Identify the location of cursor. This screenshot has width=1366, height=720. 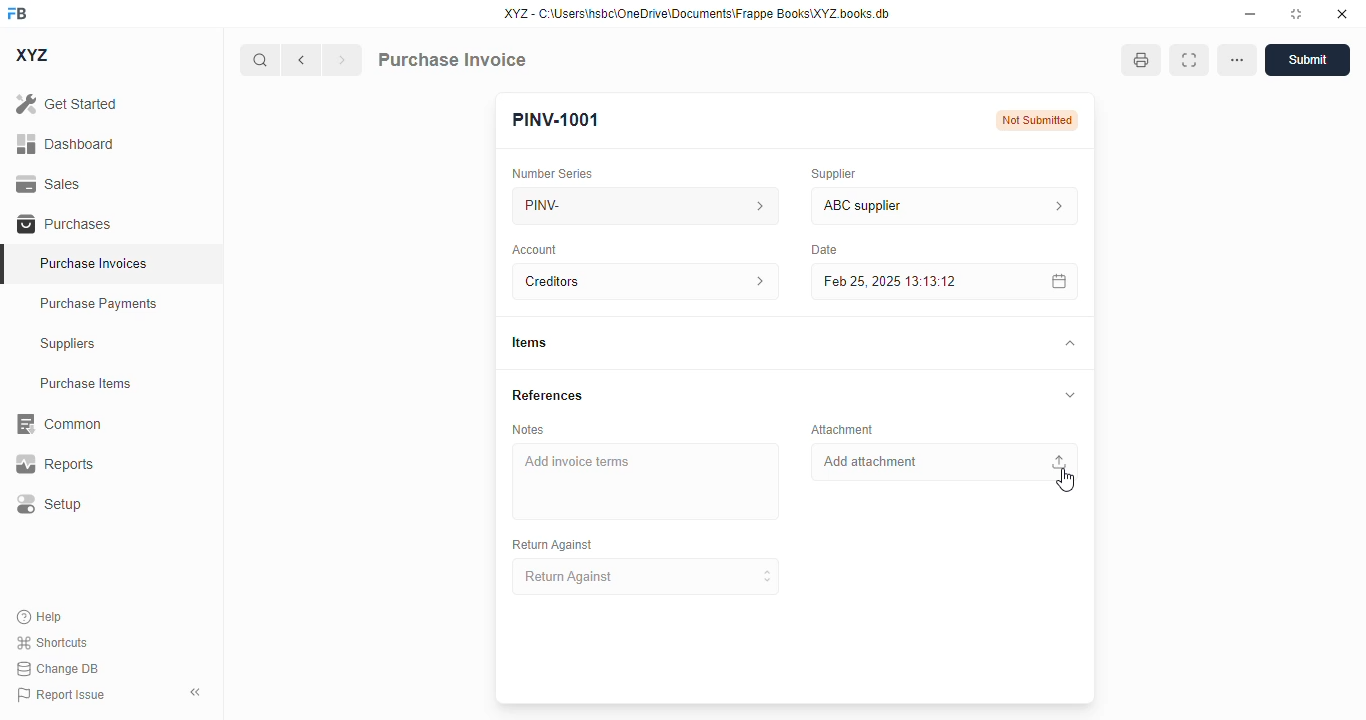
(1065, 479).